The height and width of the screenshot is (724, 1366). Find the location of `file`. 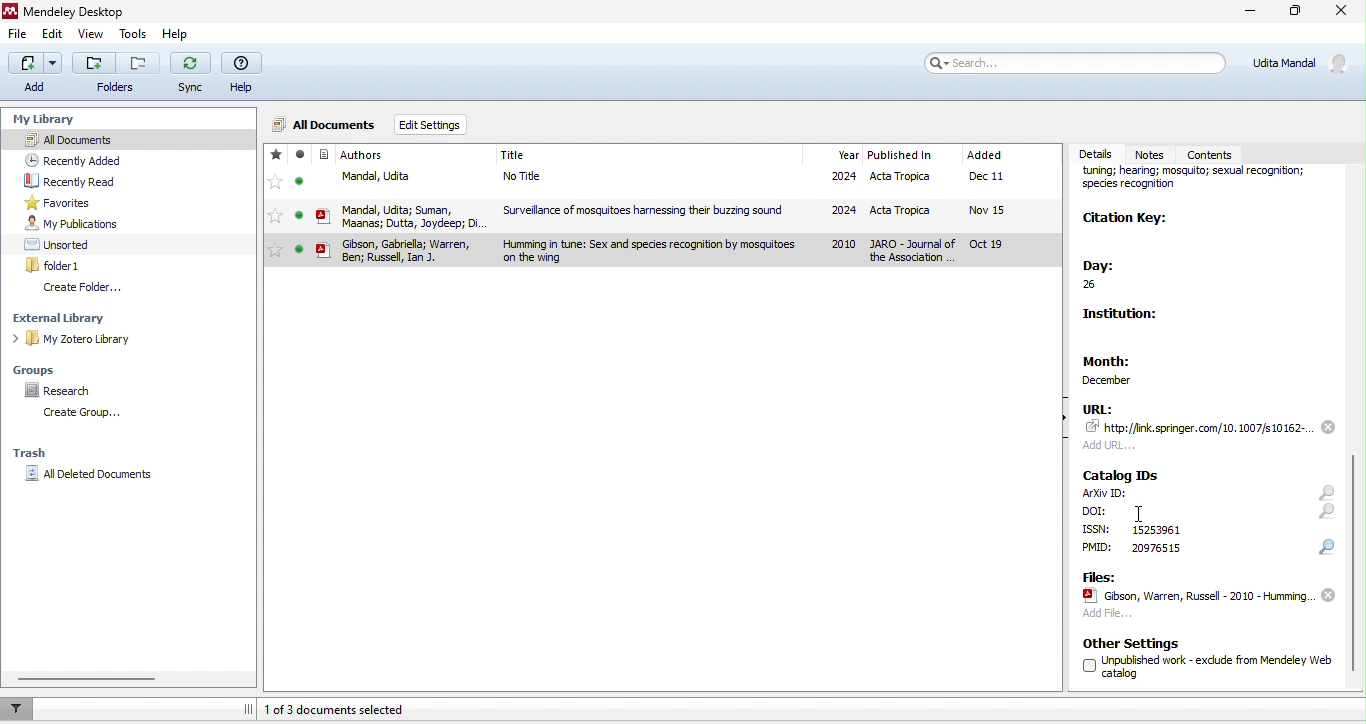

file is located at coordinates (699, 214).